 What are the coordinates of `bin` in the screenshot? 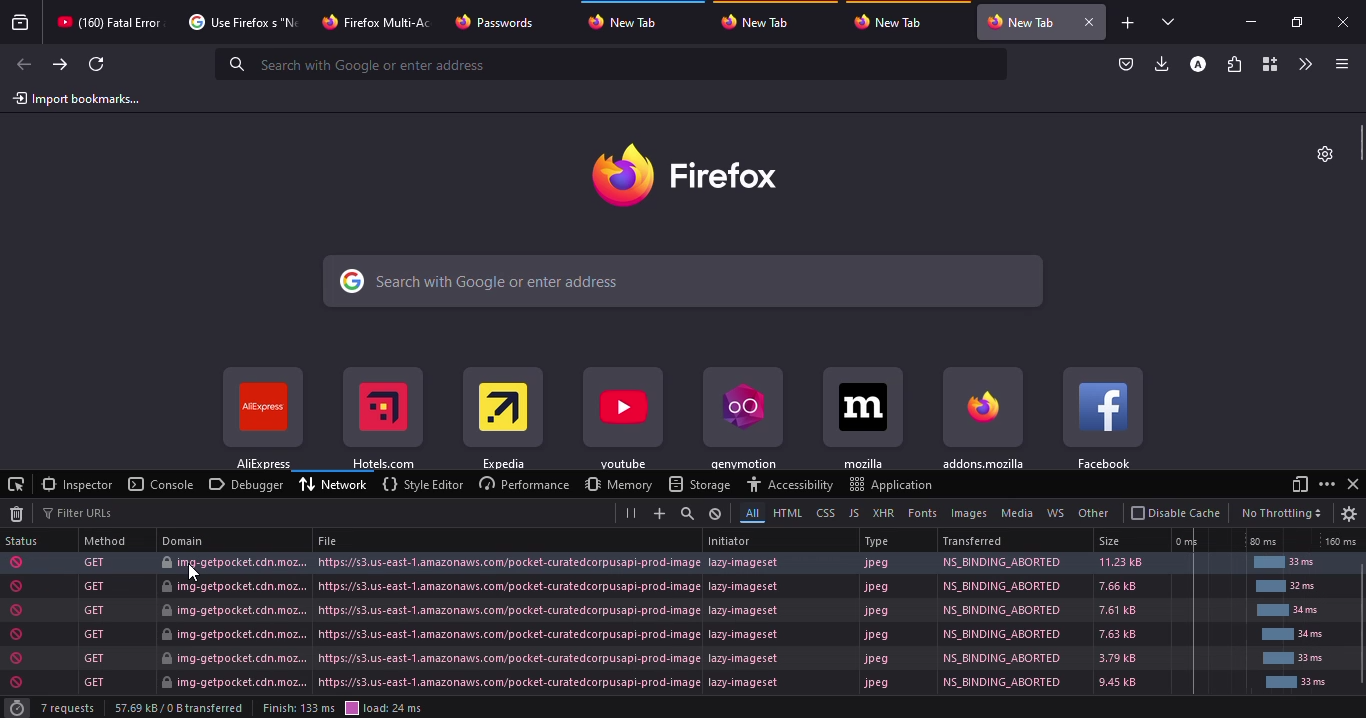 It's located at (16, 514).